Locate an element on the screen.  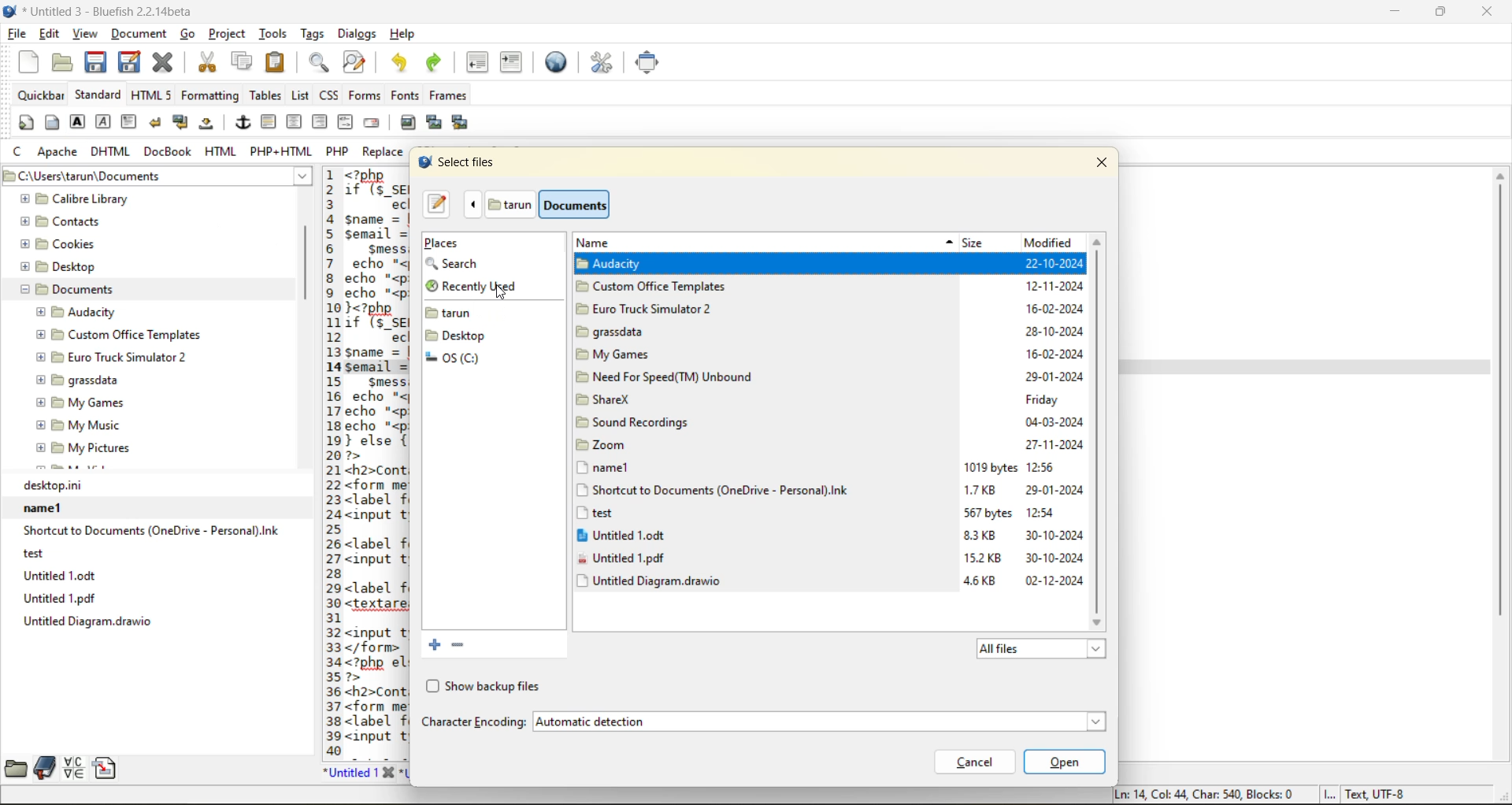
insert thumbnail is located at coordinates (435, 124).